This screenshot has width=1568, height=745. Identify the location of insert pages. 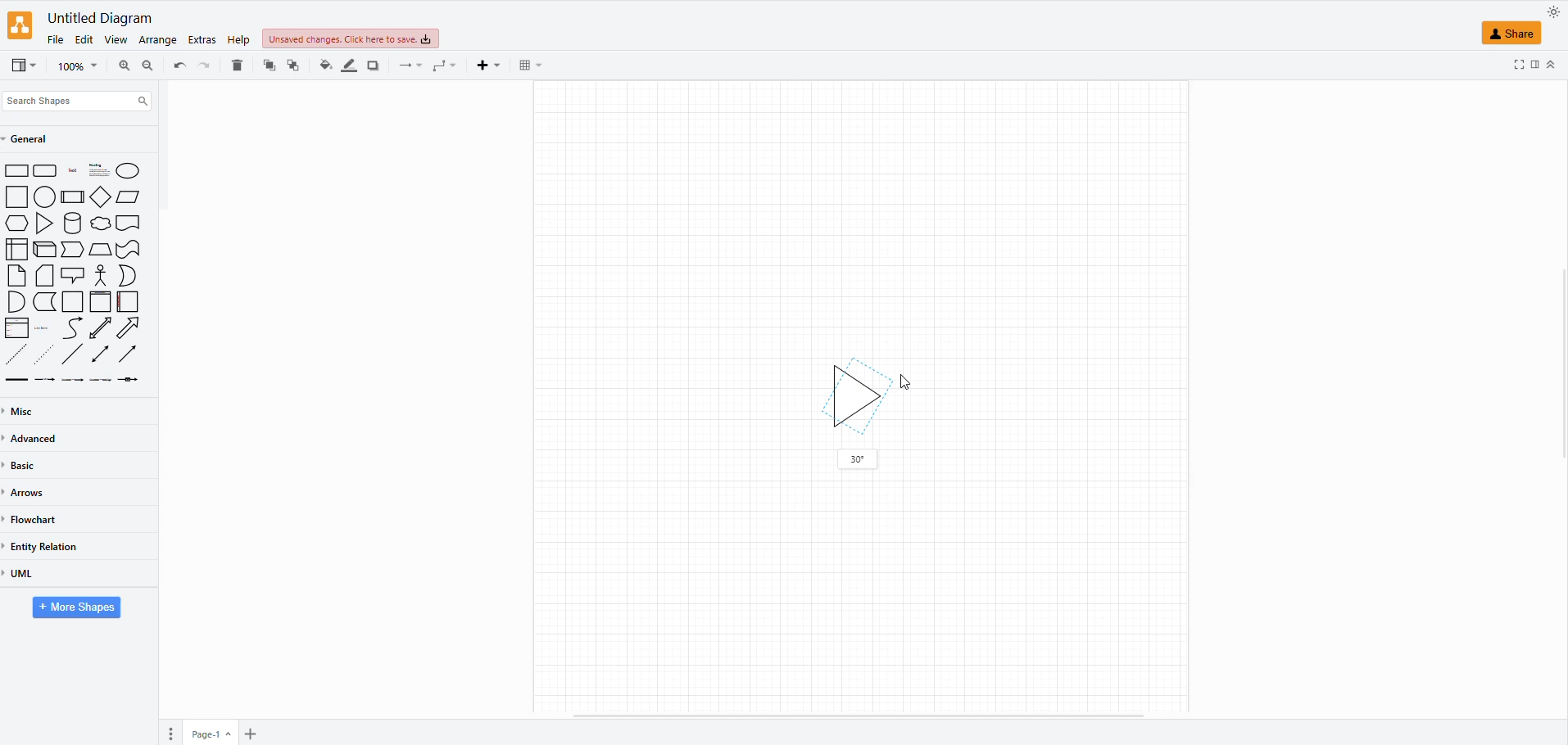
(248, 735).